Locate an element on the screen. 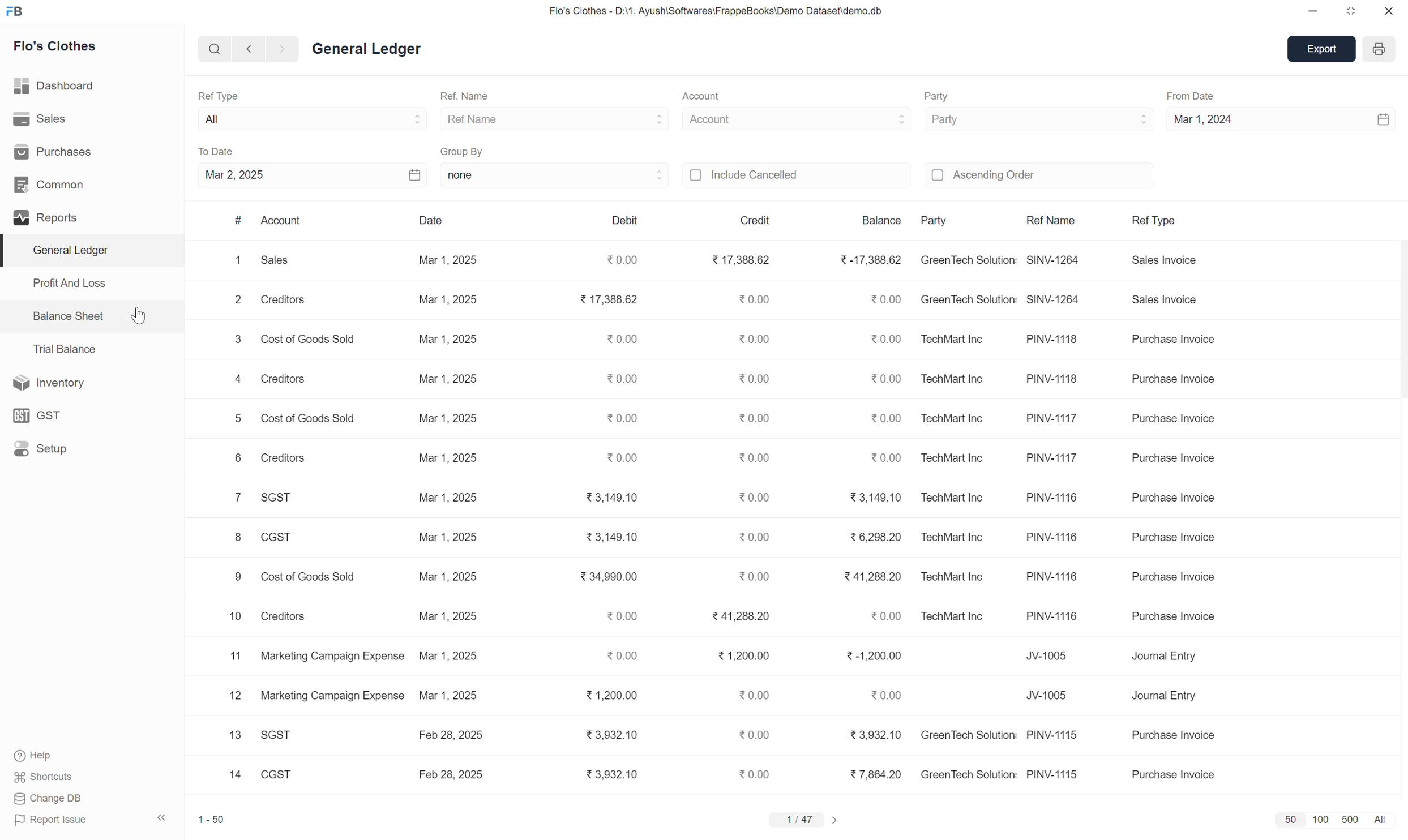 This screenshot has height=840, width=1408. PNW 1116 is located at coordinates (1048, 535).